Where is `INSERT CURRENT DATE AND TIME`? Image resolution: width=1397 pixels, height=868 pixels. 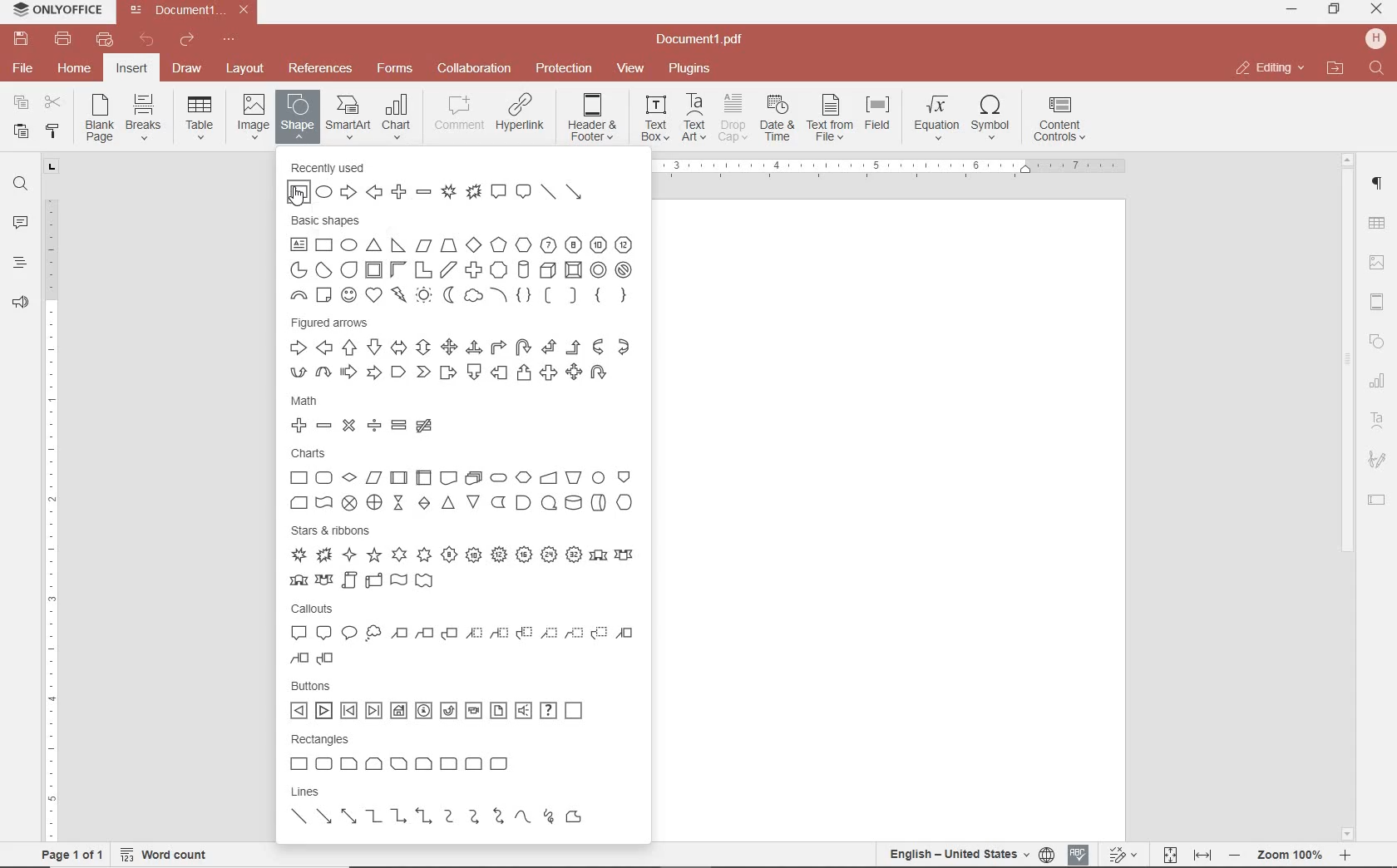 INSERT CURRENT DATE AND TIME is located at coordinates (775, 119).